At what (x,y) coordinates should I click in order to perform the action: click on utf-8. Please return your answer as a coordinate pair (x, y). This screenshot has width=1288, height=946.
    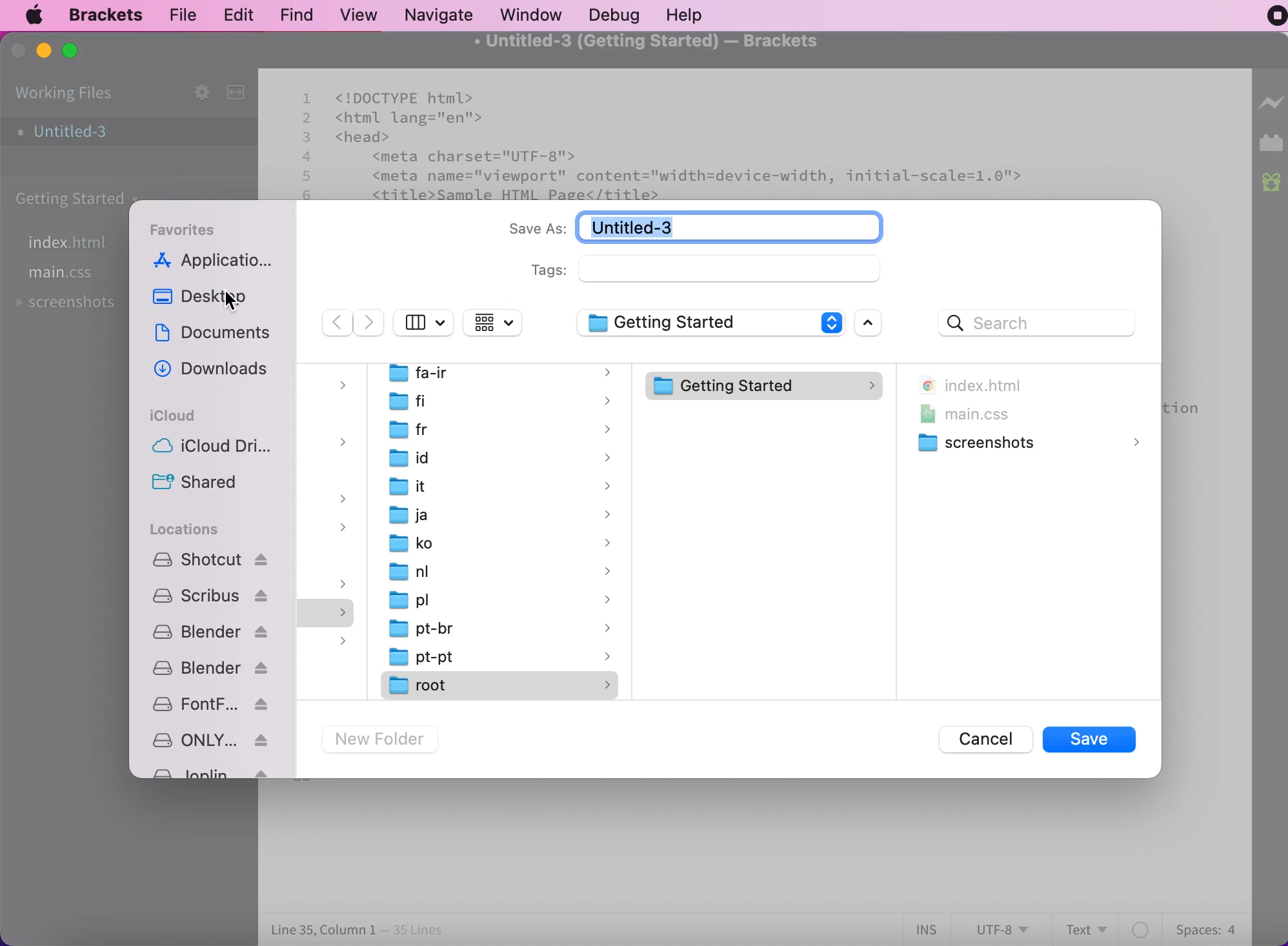
    Looking at the image, I should click on (1004, 928).